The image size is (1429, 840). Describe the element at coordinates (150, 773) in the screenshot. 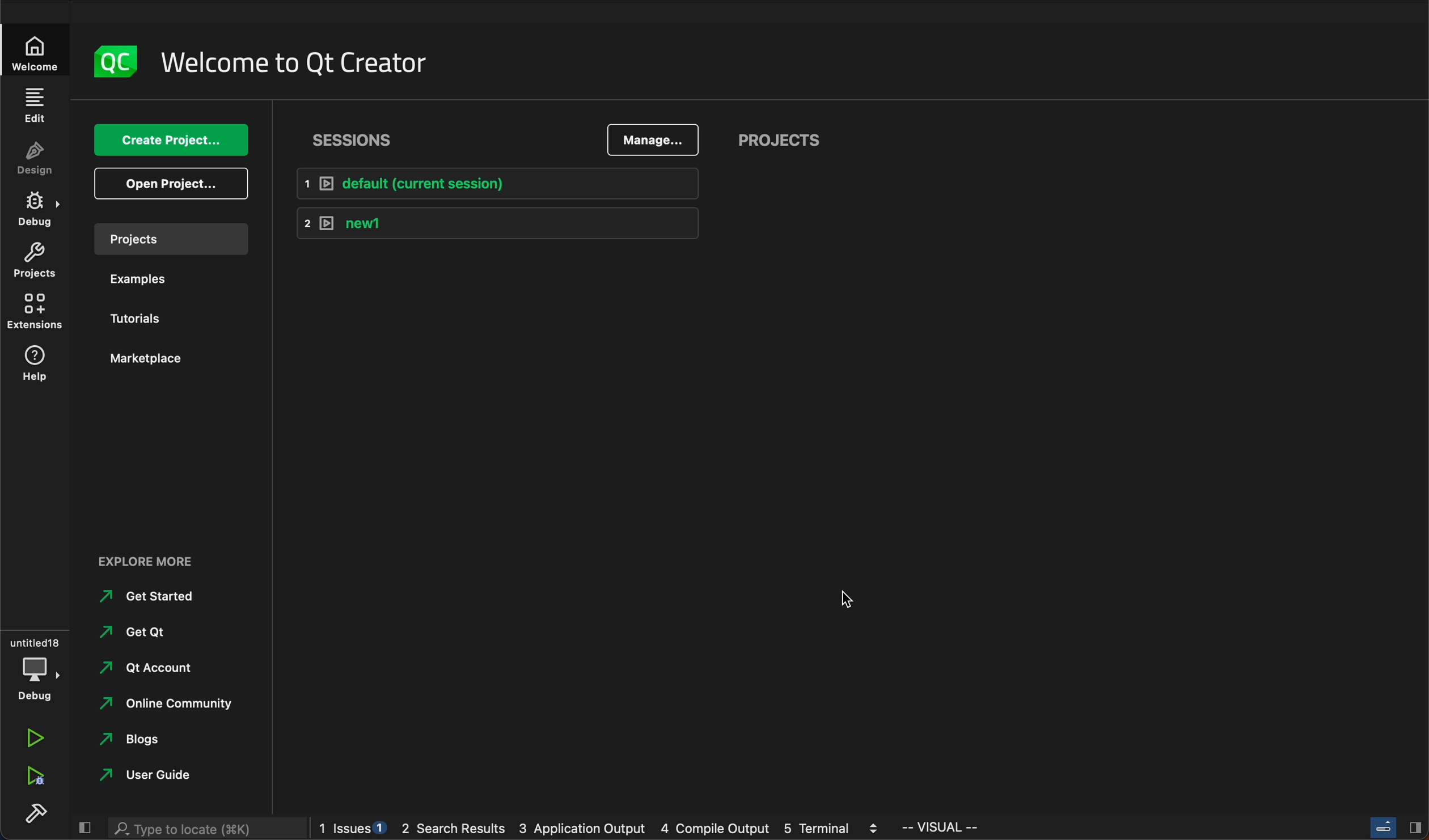

I see `guide` at that location.